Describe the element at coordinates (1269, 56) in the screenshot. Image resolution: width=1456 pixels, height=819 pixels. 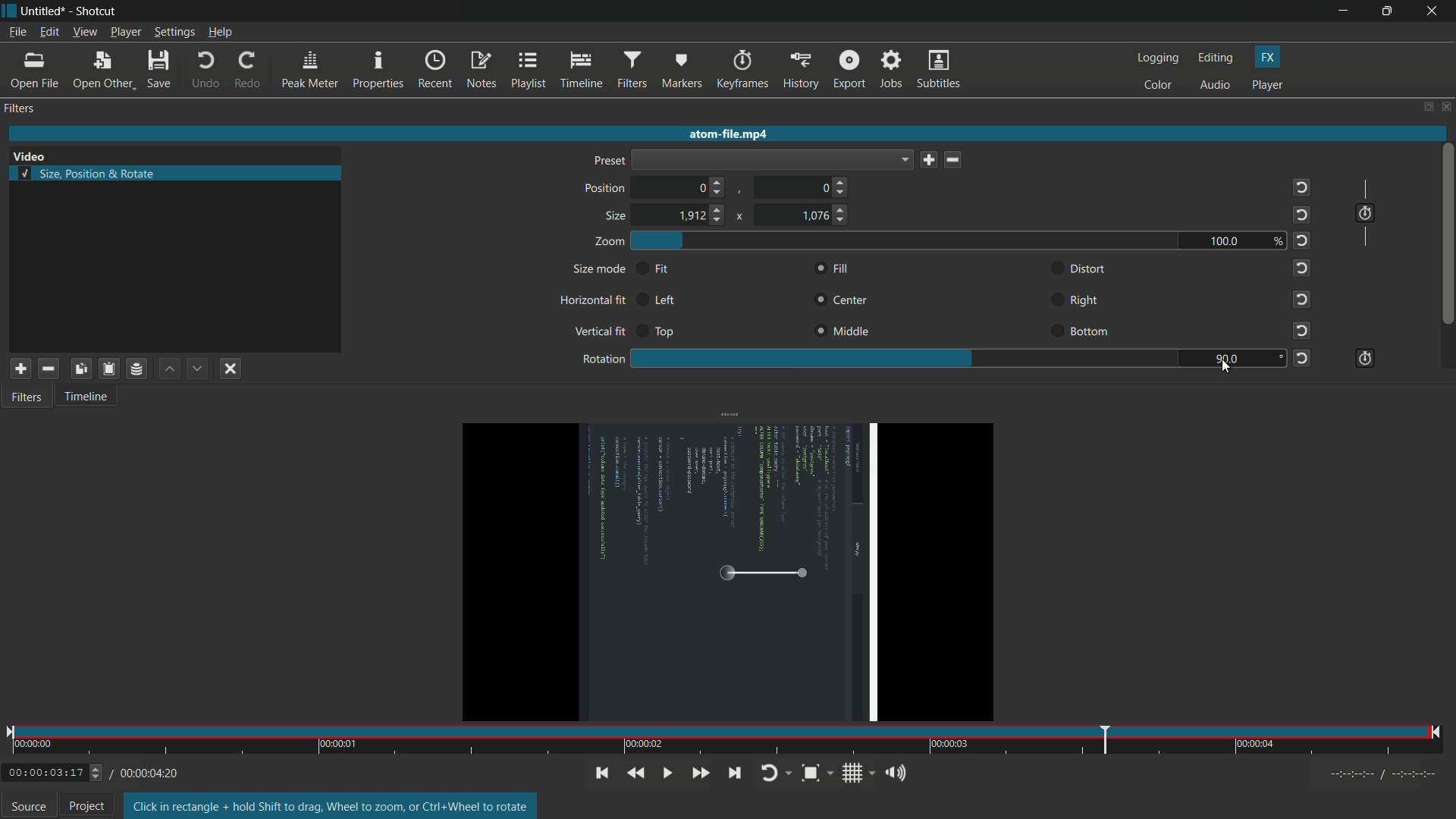
I see `fx` at that location.